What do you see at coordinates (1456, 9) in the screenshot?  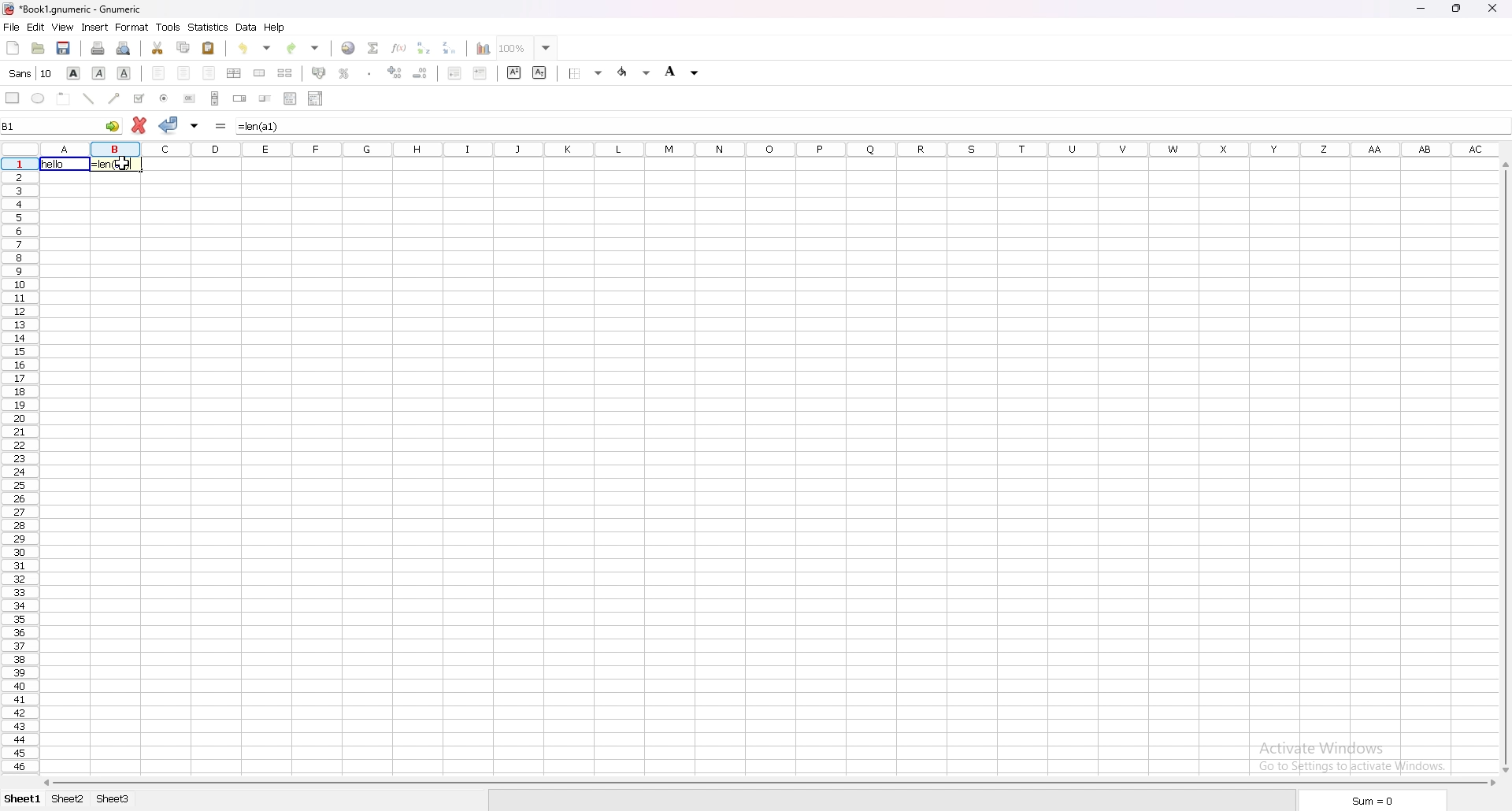 I see `resize` at bounding box center [1456, 9].